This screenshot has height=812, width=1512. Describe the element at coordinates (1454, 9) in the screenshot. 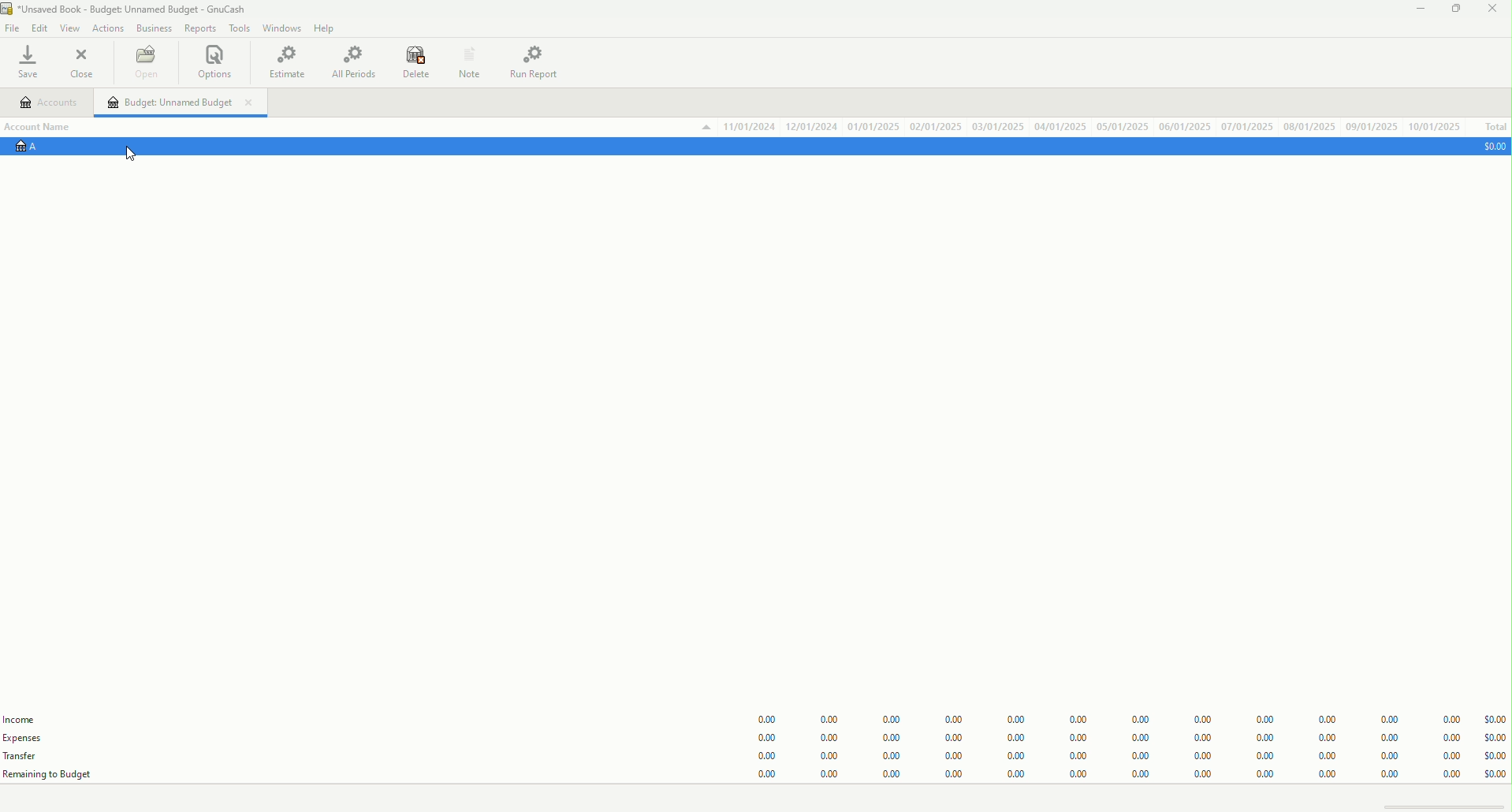

I see `Restore` at that location.